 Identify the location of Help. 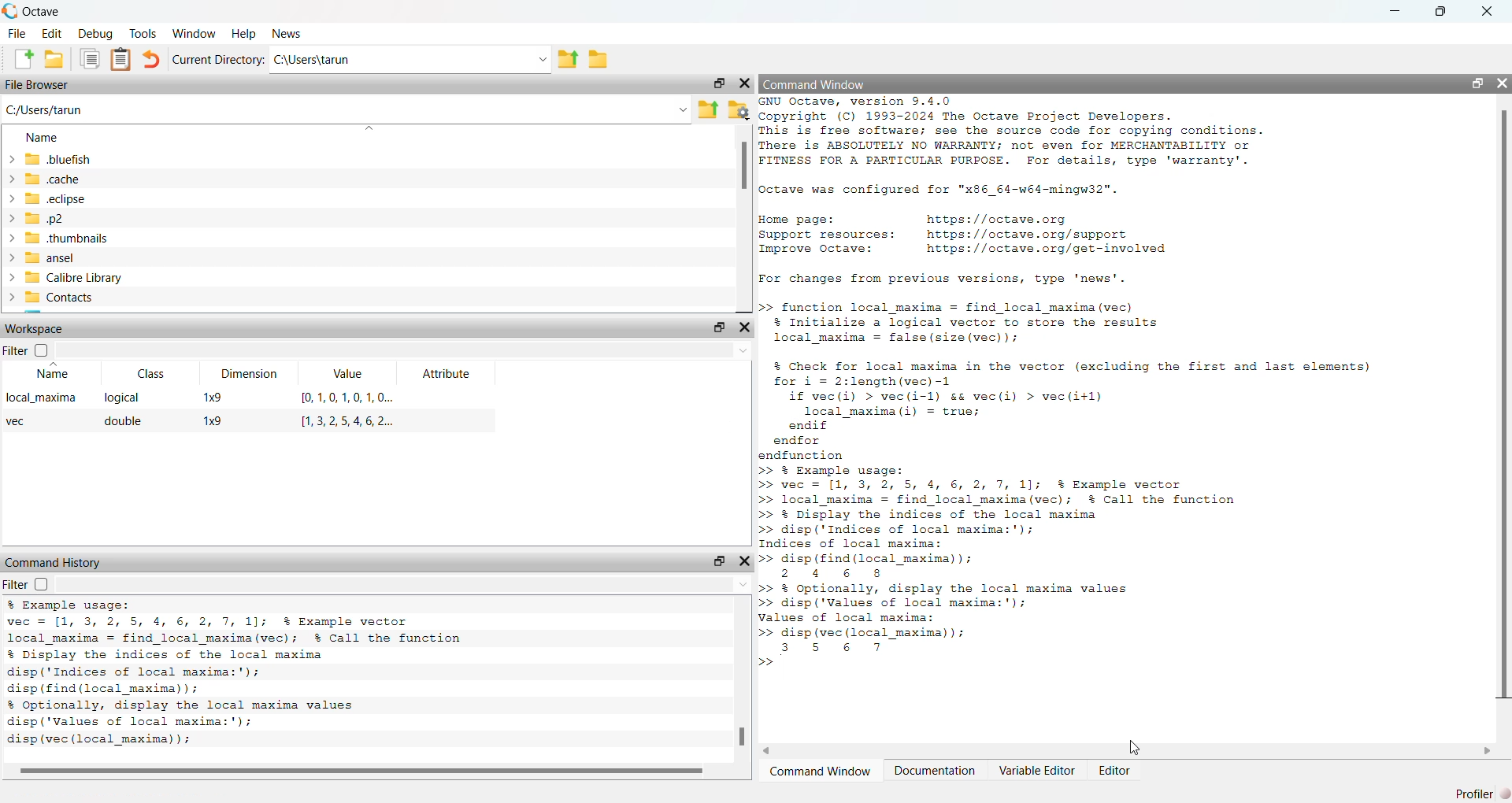
(244, 32).